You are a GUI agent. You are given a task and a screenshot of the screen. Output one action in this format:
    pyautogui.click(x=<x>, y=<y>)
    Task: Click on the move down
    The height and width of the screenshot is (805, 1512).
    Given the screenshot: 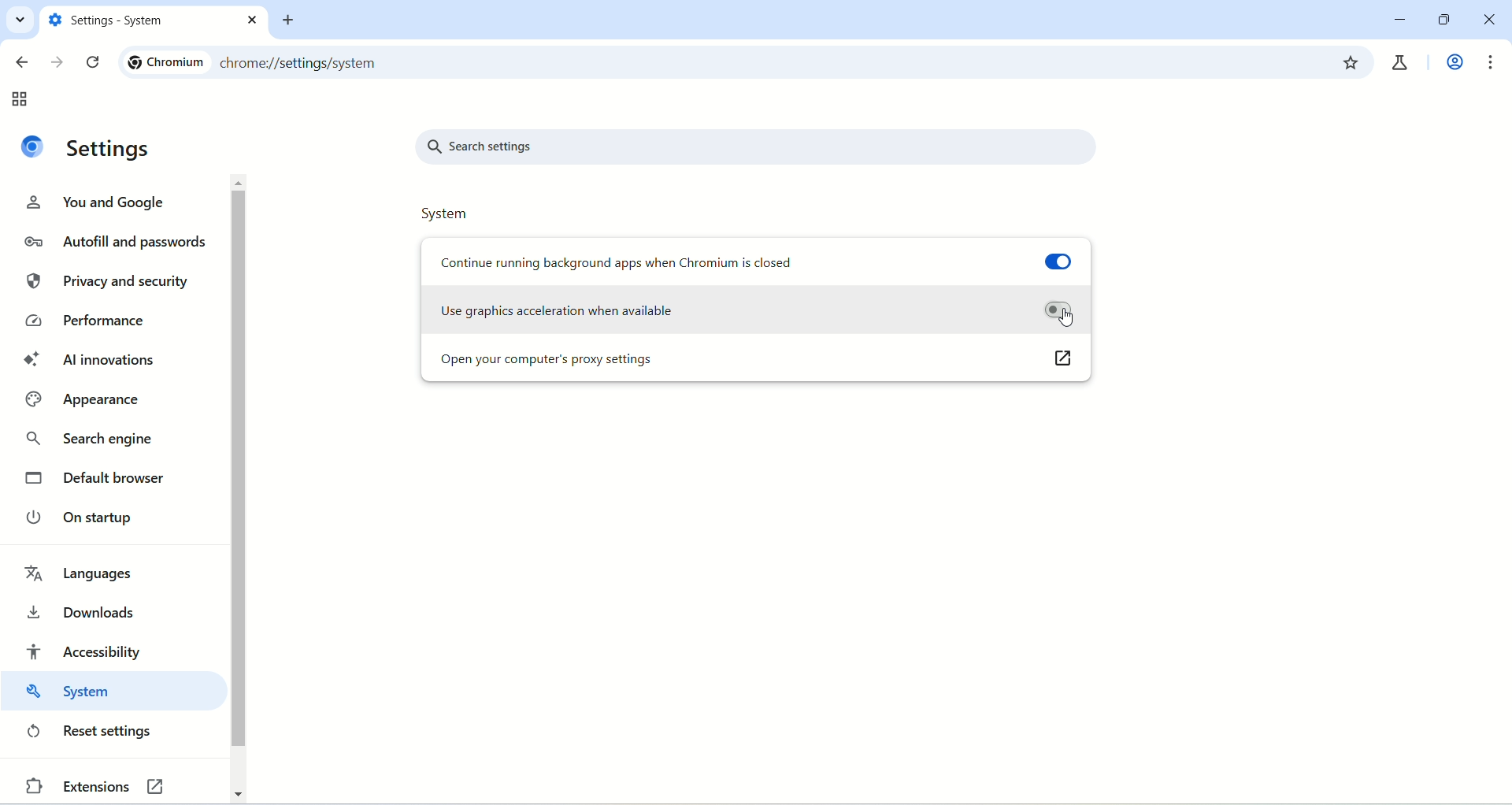 What is the action you would take?
    pyautogui.click(x=237, y=792)
    